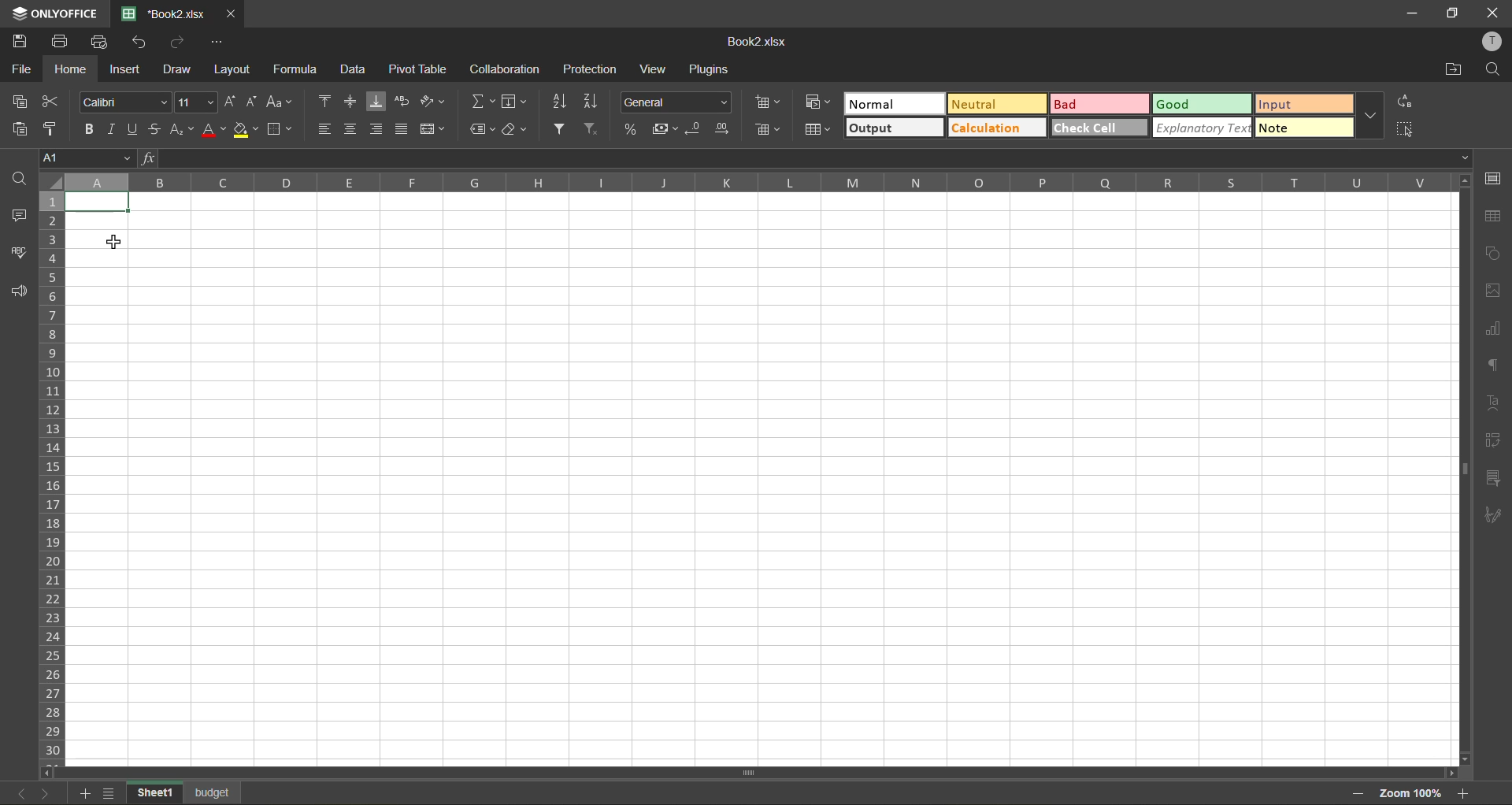 The image size is (1512, 805). Describe the element at coordinates (1452, 13) in the screenshot. I see `maximize` at that location.